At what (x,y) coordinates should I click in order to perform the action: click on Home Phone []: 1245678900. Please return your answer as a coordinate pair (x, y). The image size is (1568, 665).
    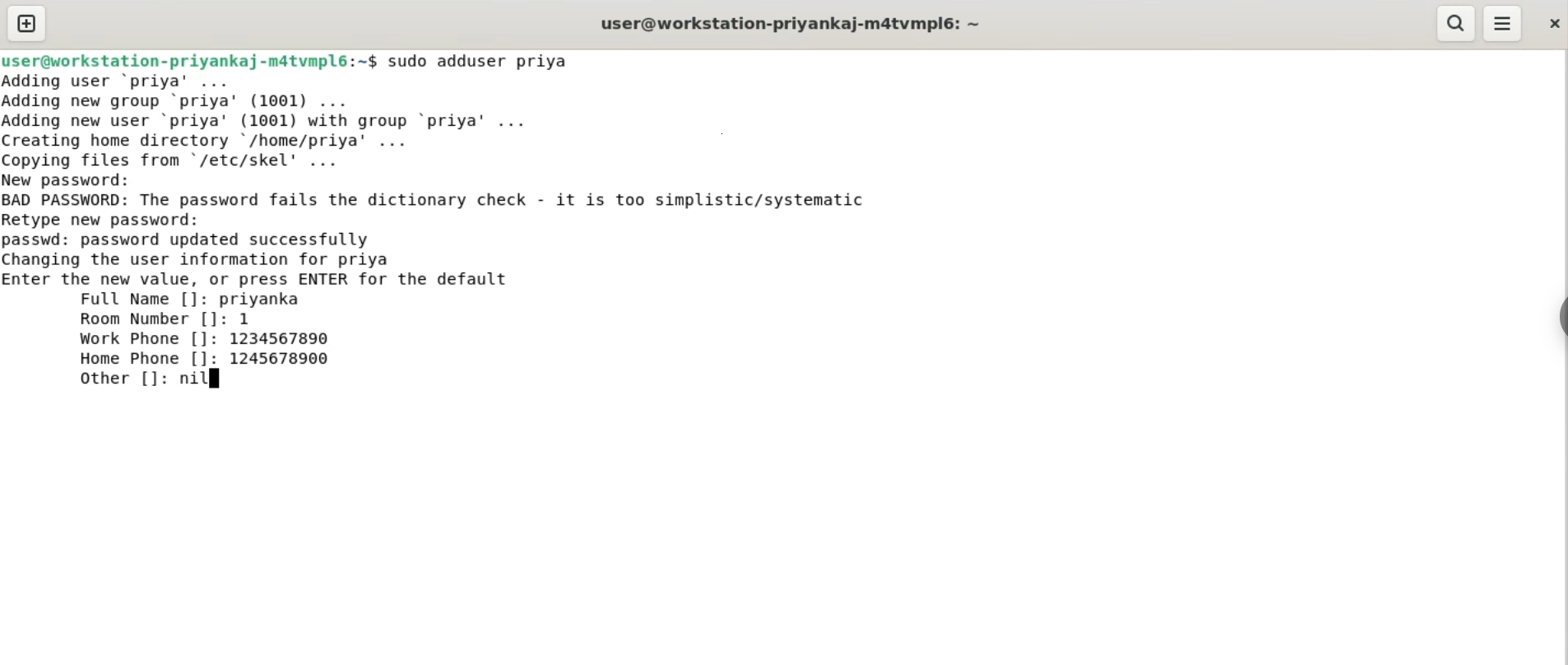
    Looking at the image, I should click on (206, 358).